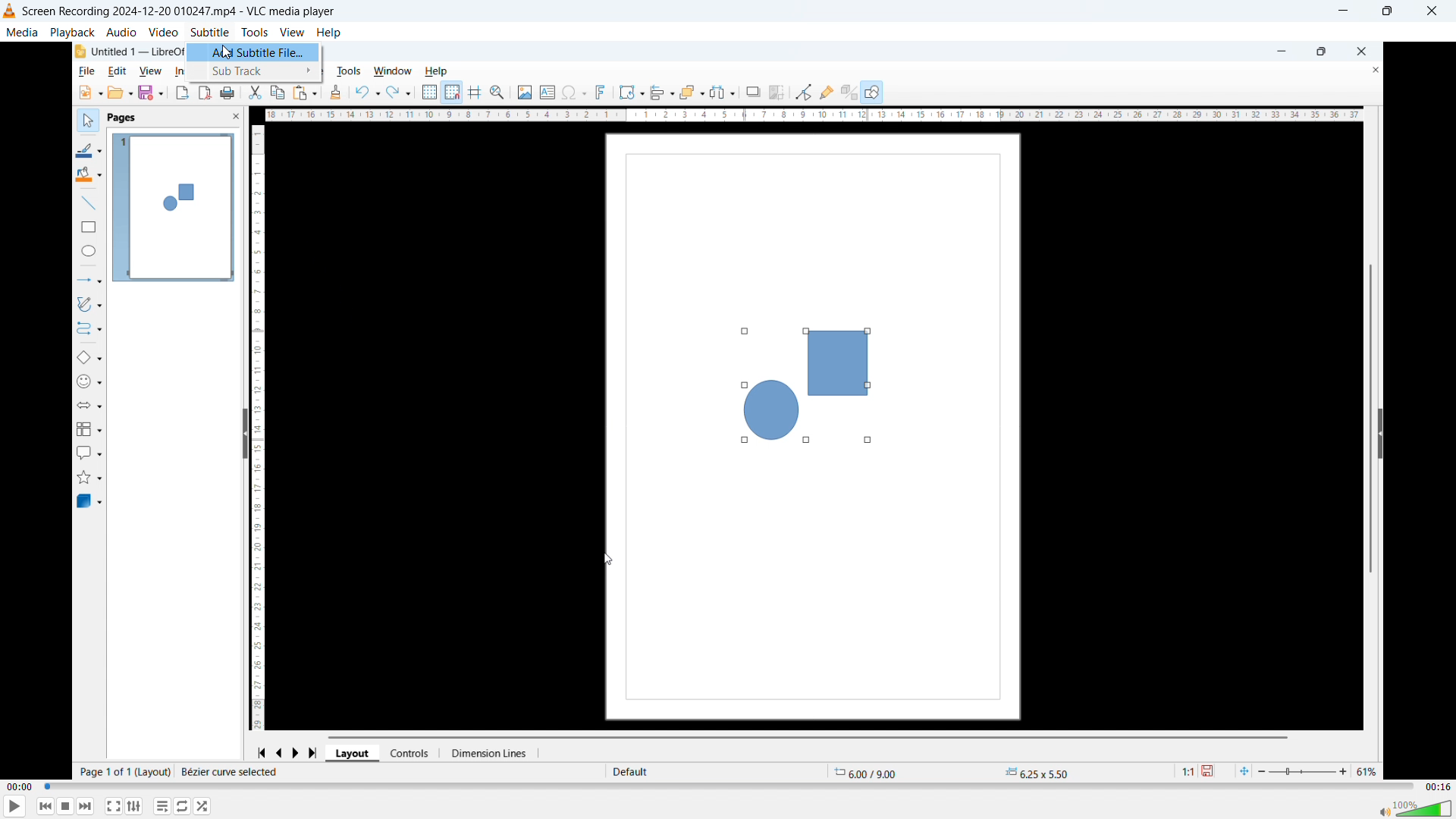  What do you see at coordinates (88, 331) in the screenshot?
I see `connectors` at bounding box center [88, 331].